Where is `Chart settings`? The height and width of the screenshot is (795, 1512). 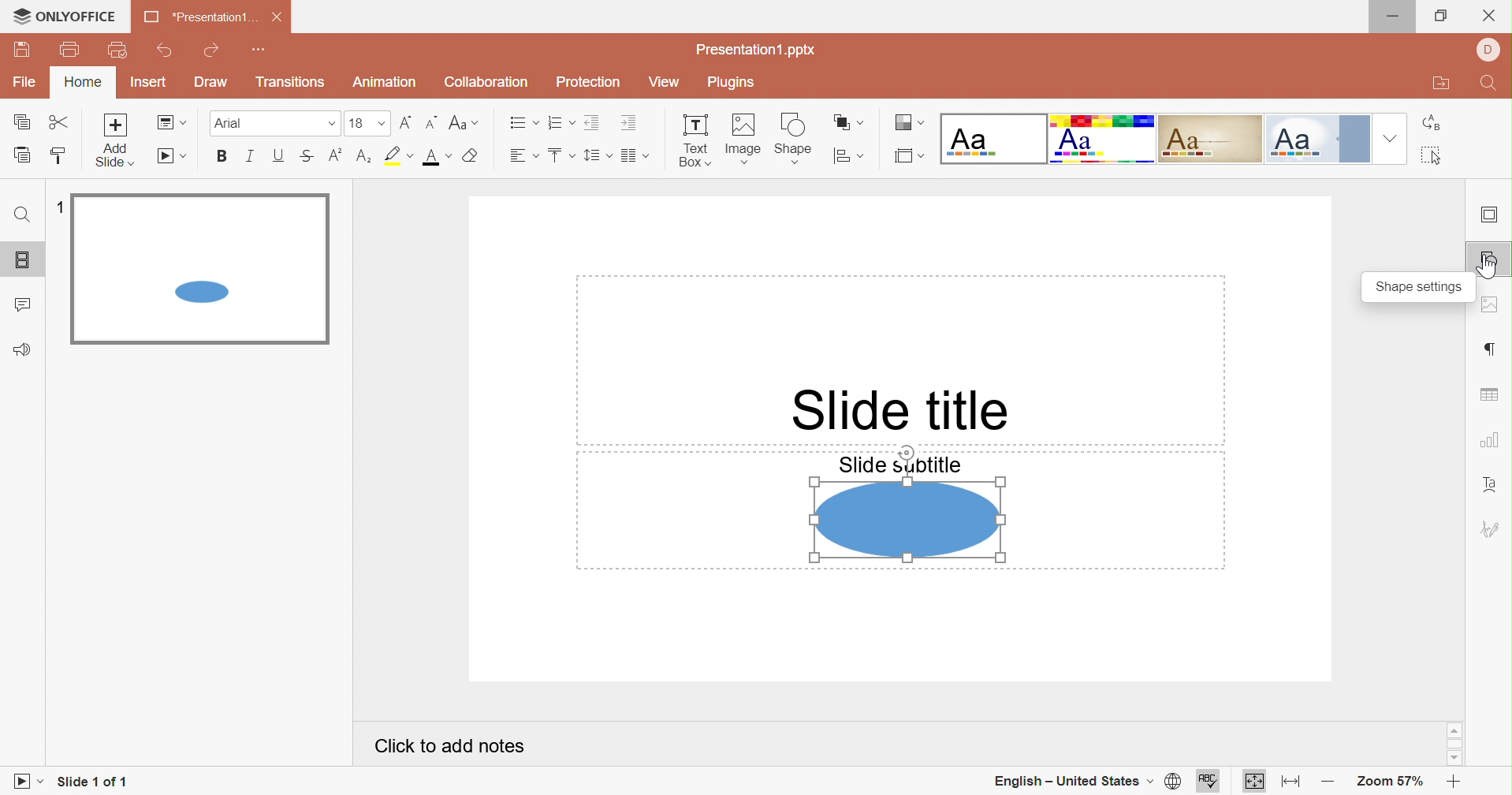
Chart settings is located at coordinates (1488, 439).